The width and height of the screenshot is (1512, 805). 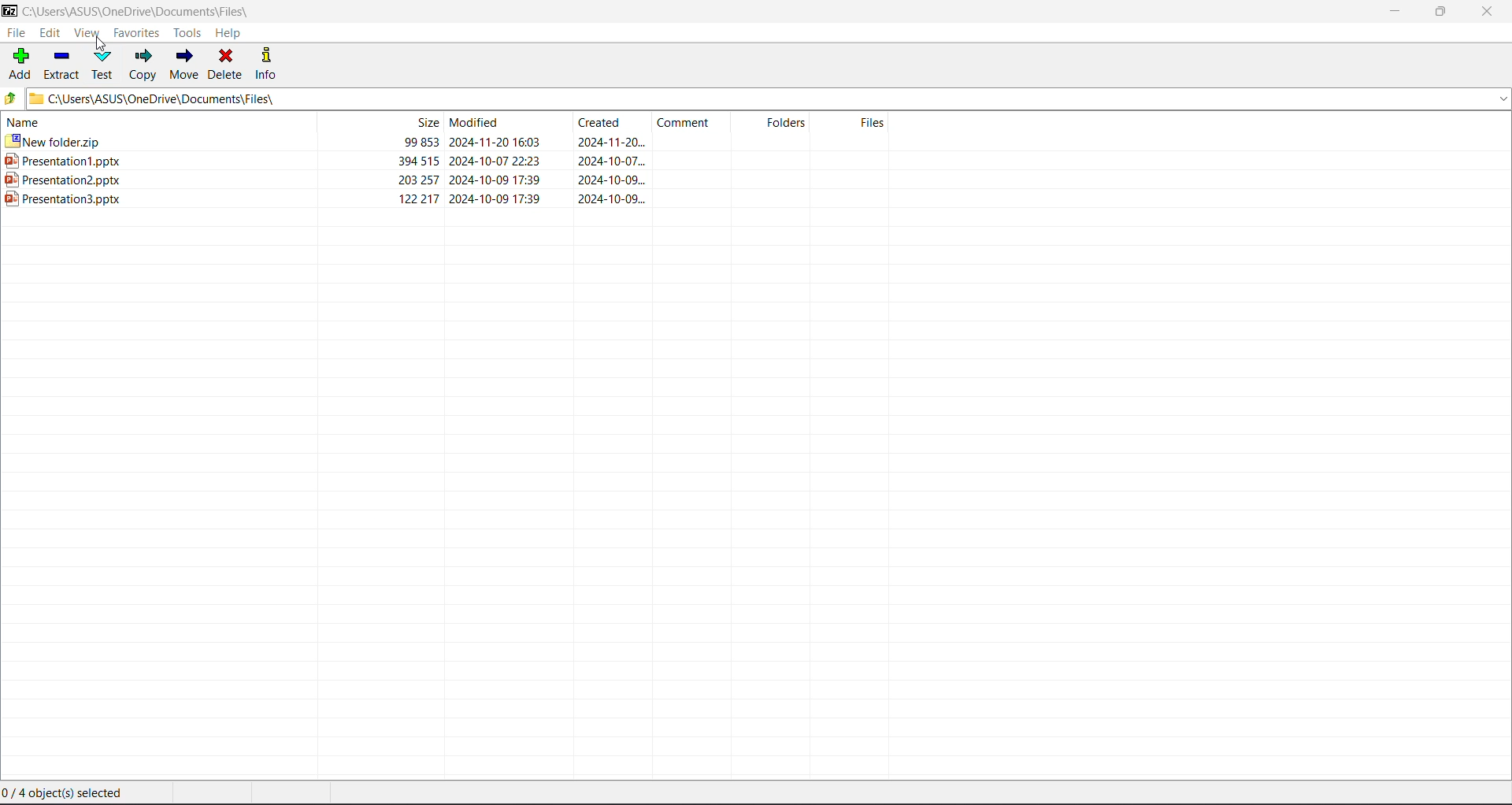 I want to click on Application Logo, so click(x=9, y=10).